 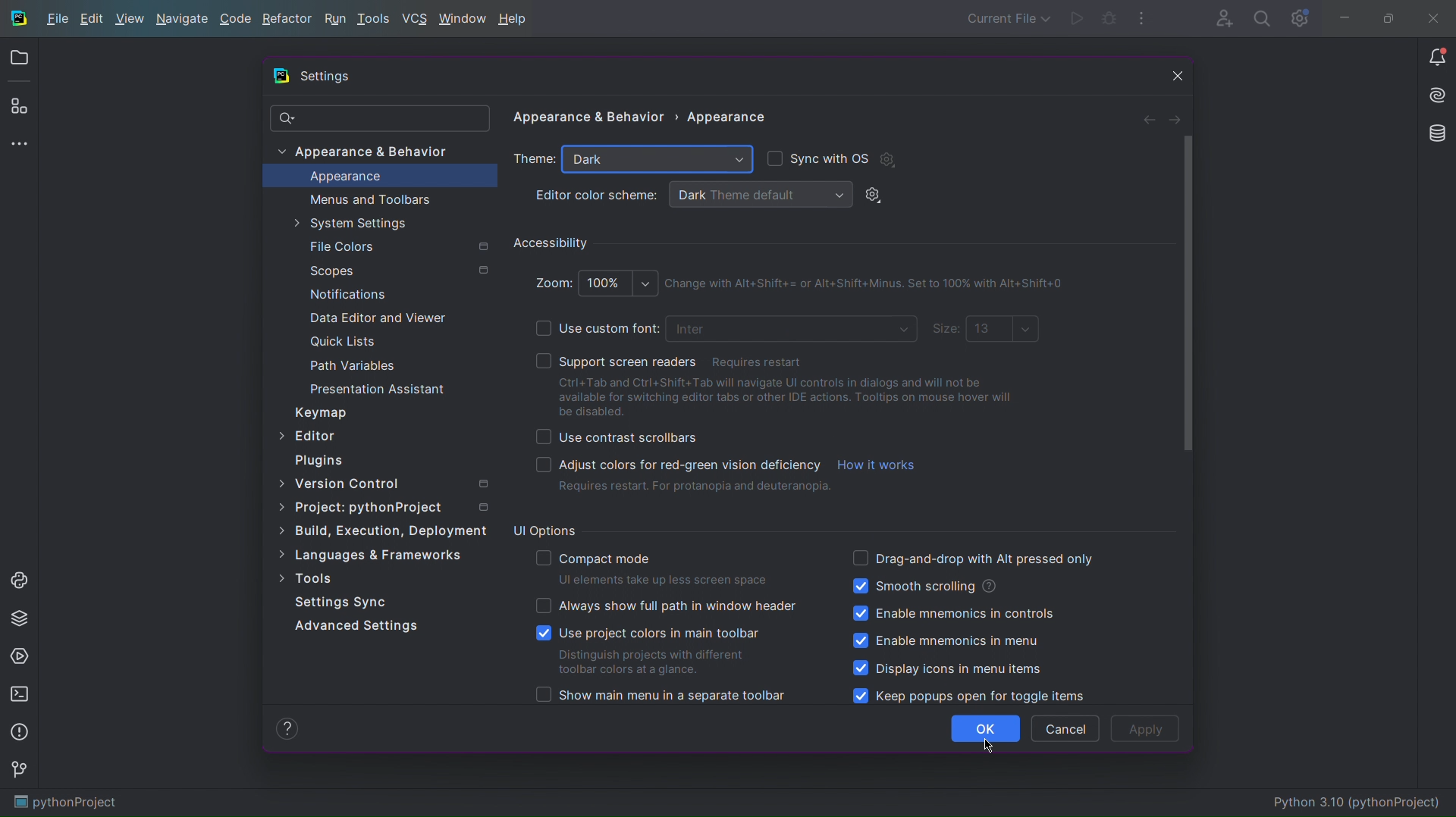 What do you see at coordinates (670, 465) in the screenshot?
I see `Adjust colors for red-green vision deficiency` at bounding box center [670, 465].